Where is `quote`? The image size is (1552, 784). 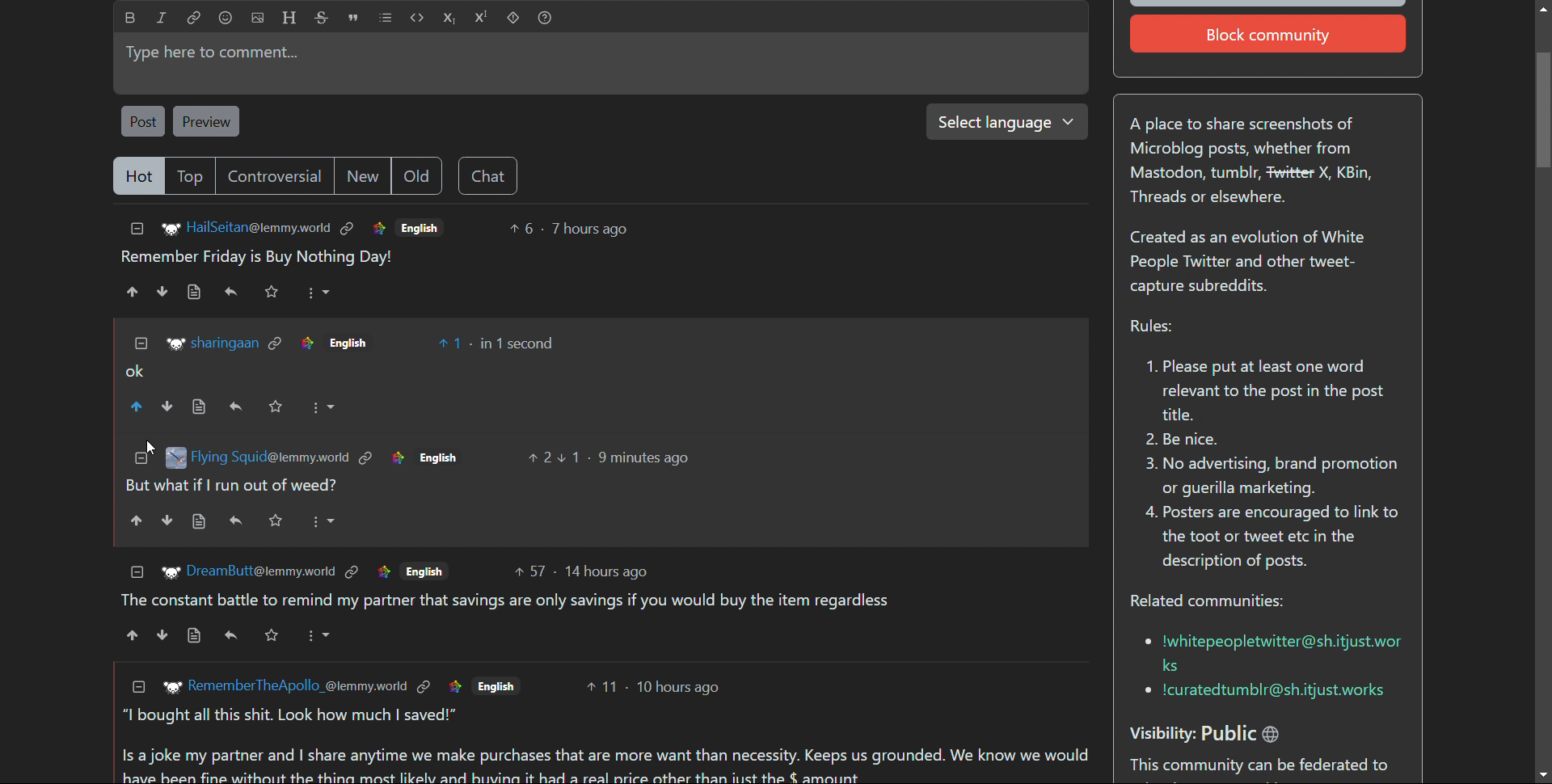 quote is located at coordinates (352, 18).